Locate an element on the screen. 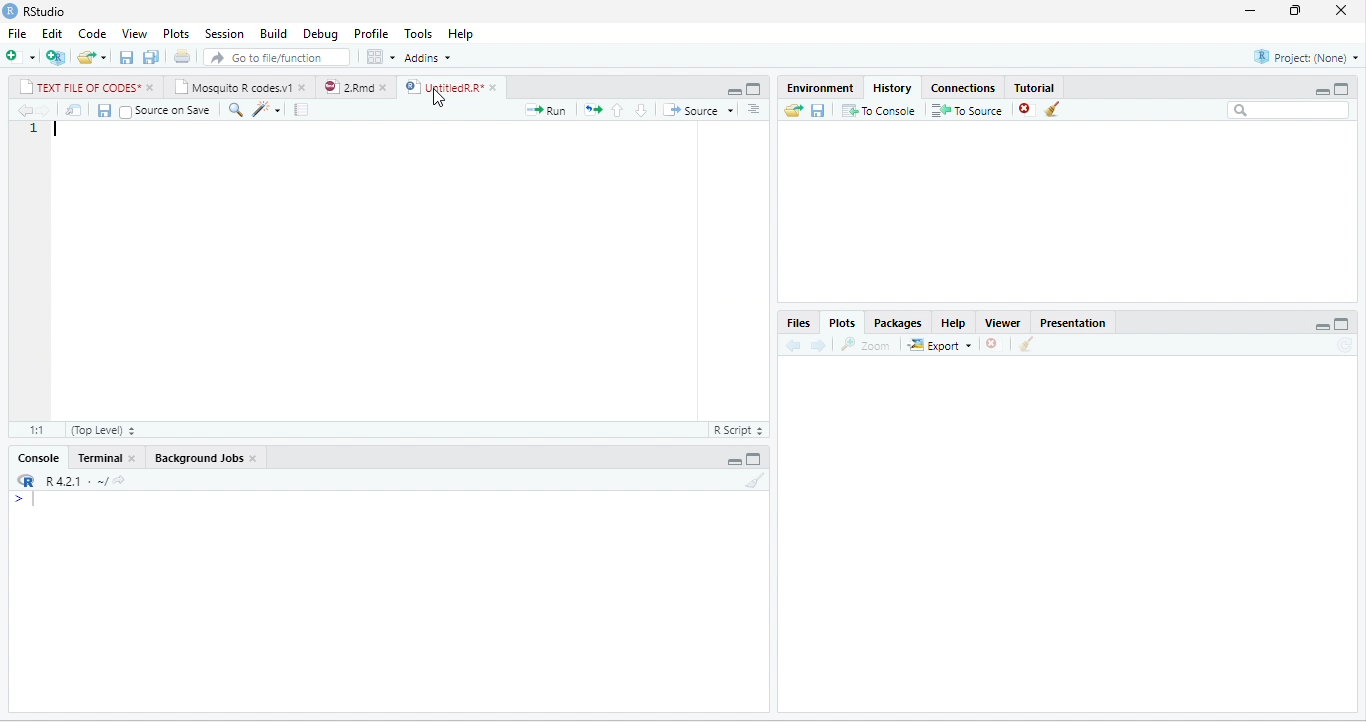 This screenshot has width=1366, height=722. Plots is located at coordinates (843, 323).